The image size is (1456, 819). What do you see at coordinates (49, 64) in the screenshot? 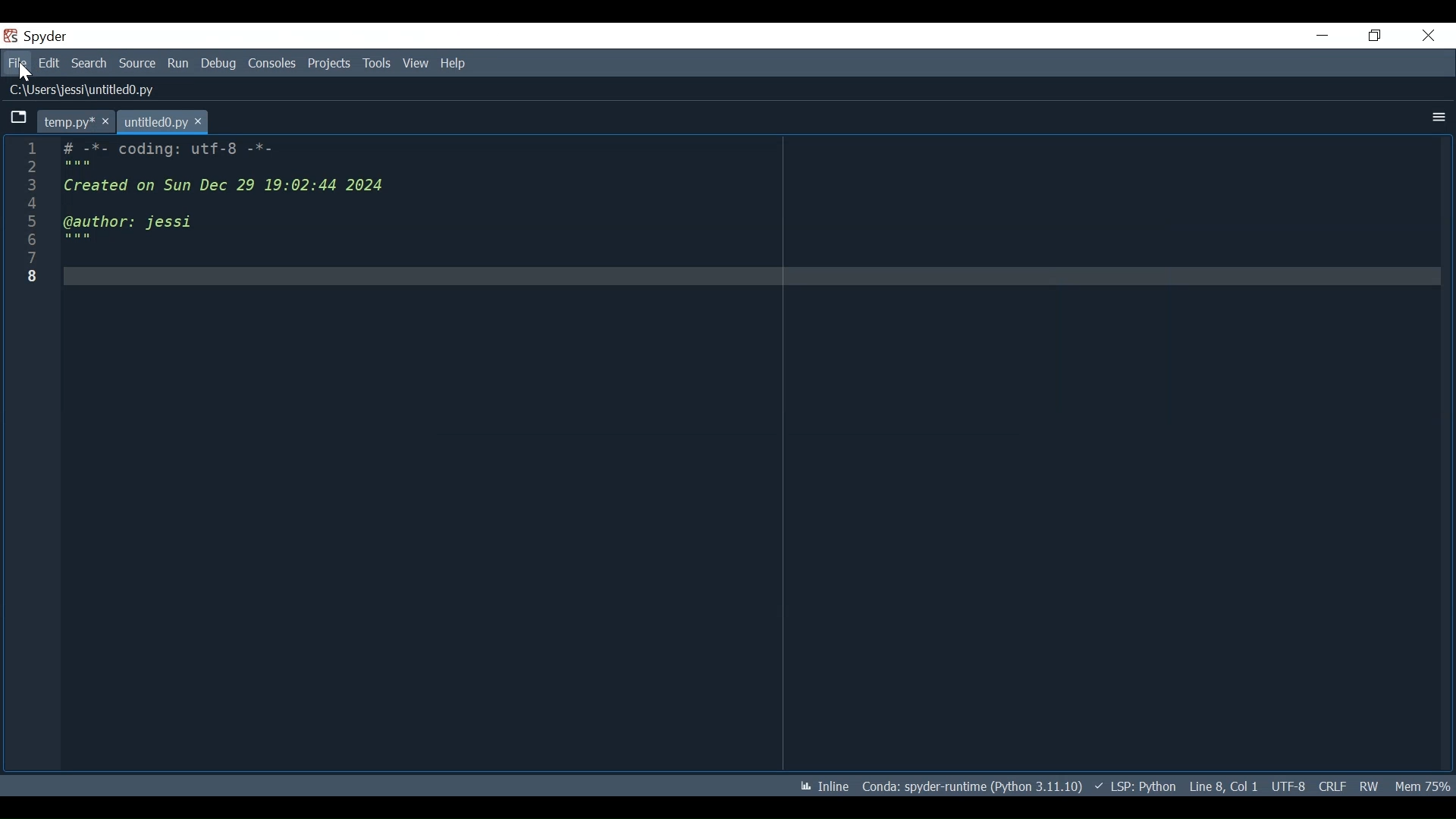
I see `Edit` at bounding box center [49, 64].